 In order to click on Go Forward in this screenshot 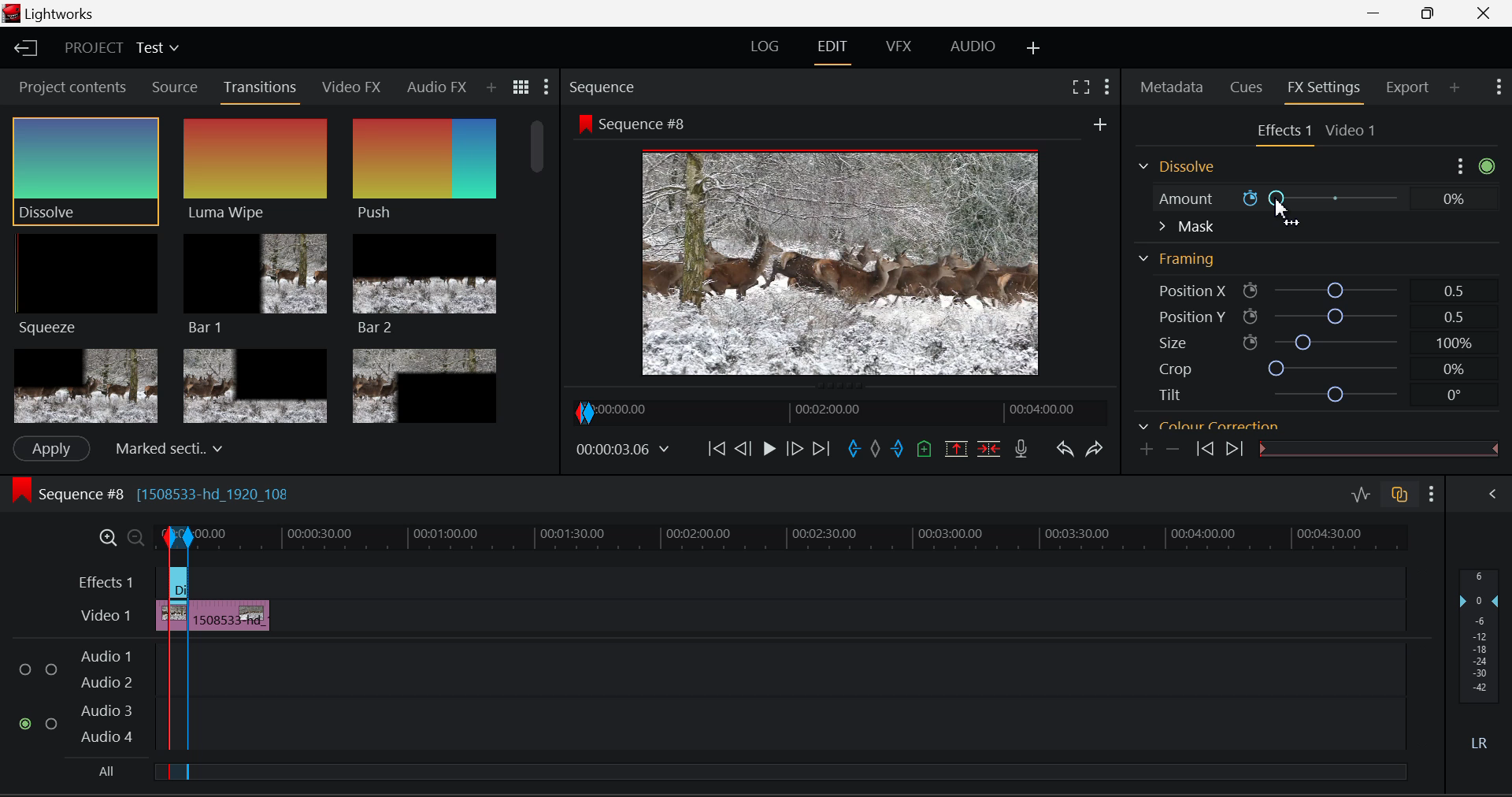, I will do `click(795, 450)`.